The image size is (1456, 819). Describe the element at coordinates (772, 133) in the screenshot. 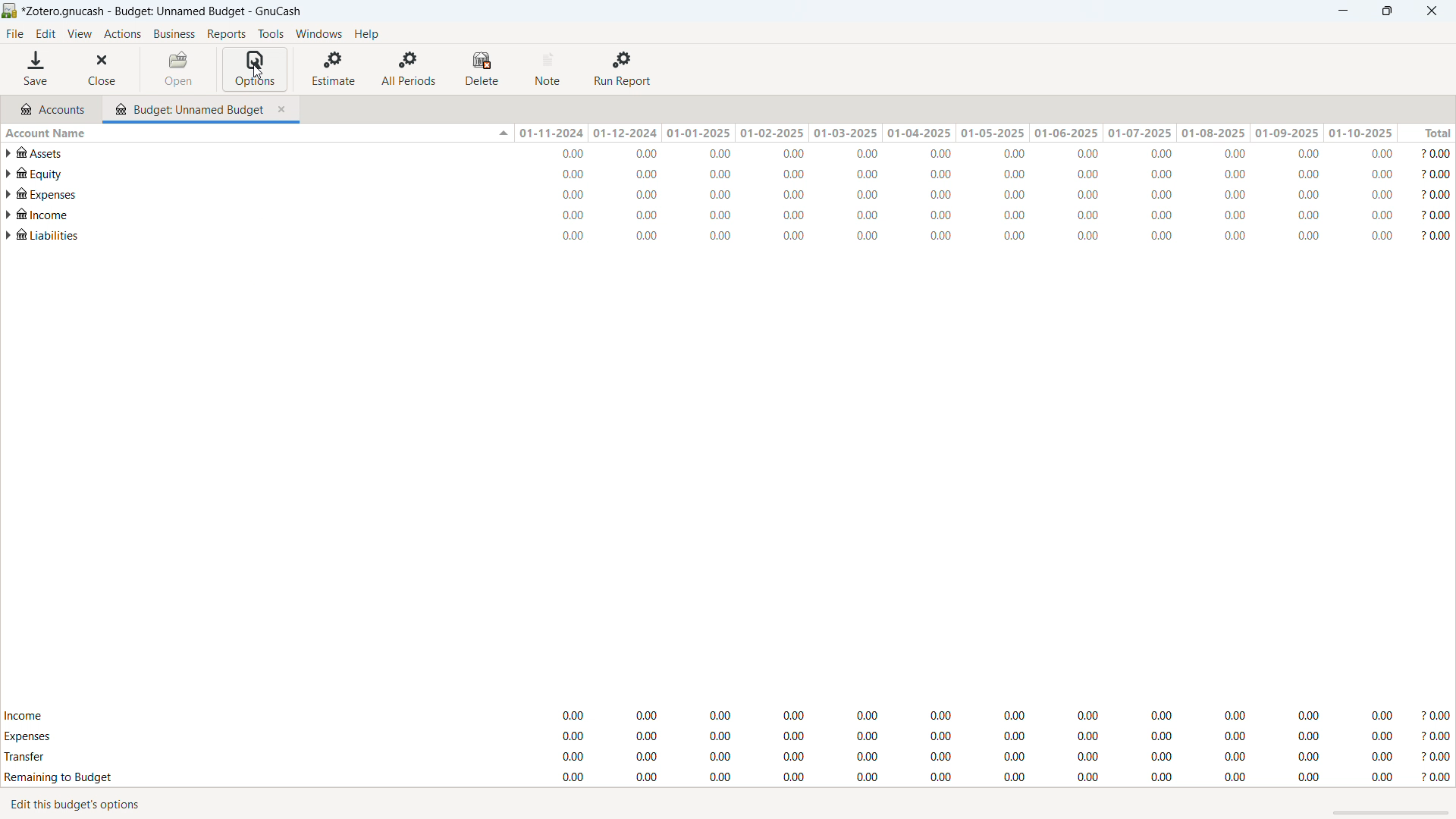

I see `01-02-2025` at that location.